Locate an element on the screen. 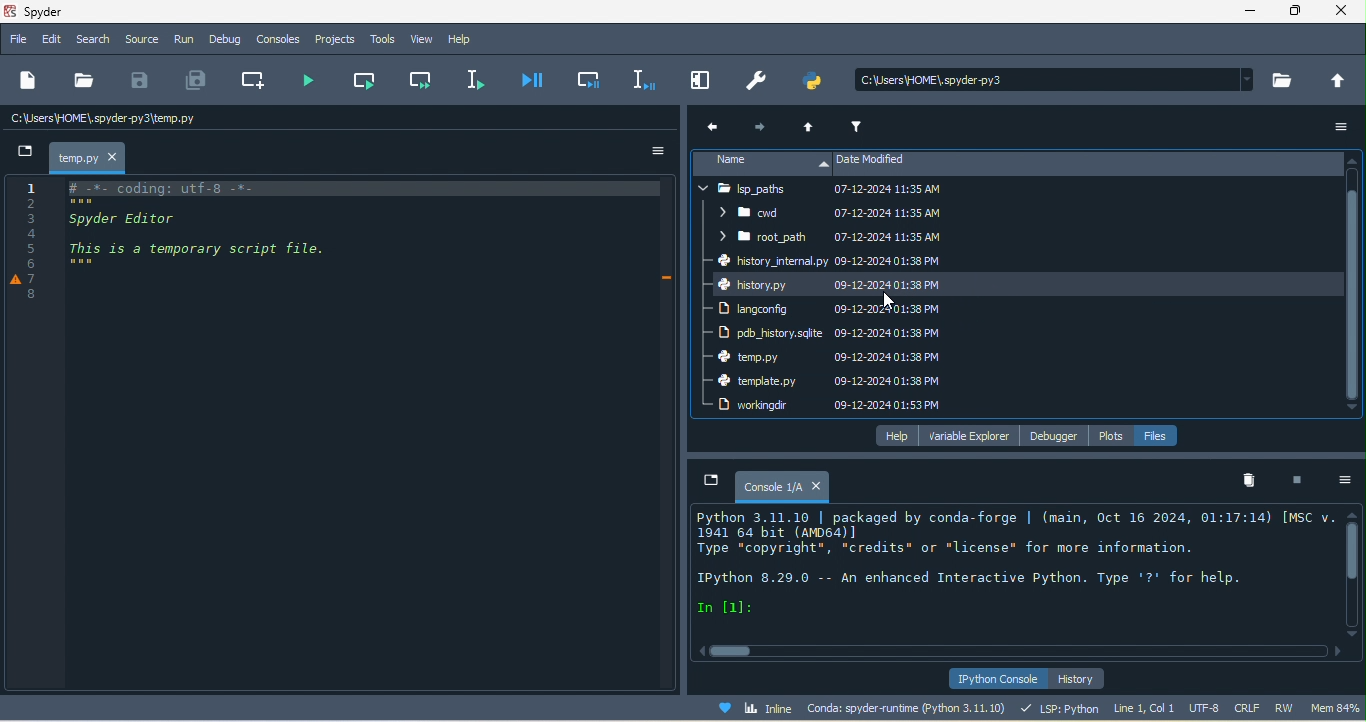 The height and width of the screenshot is (722, 1366). create new cell is located at coordinates (251, 80).